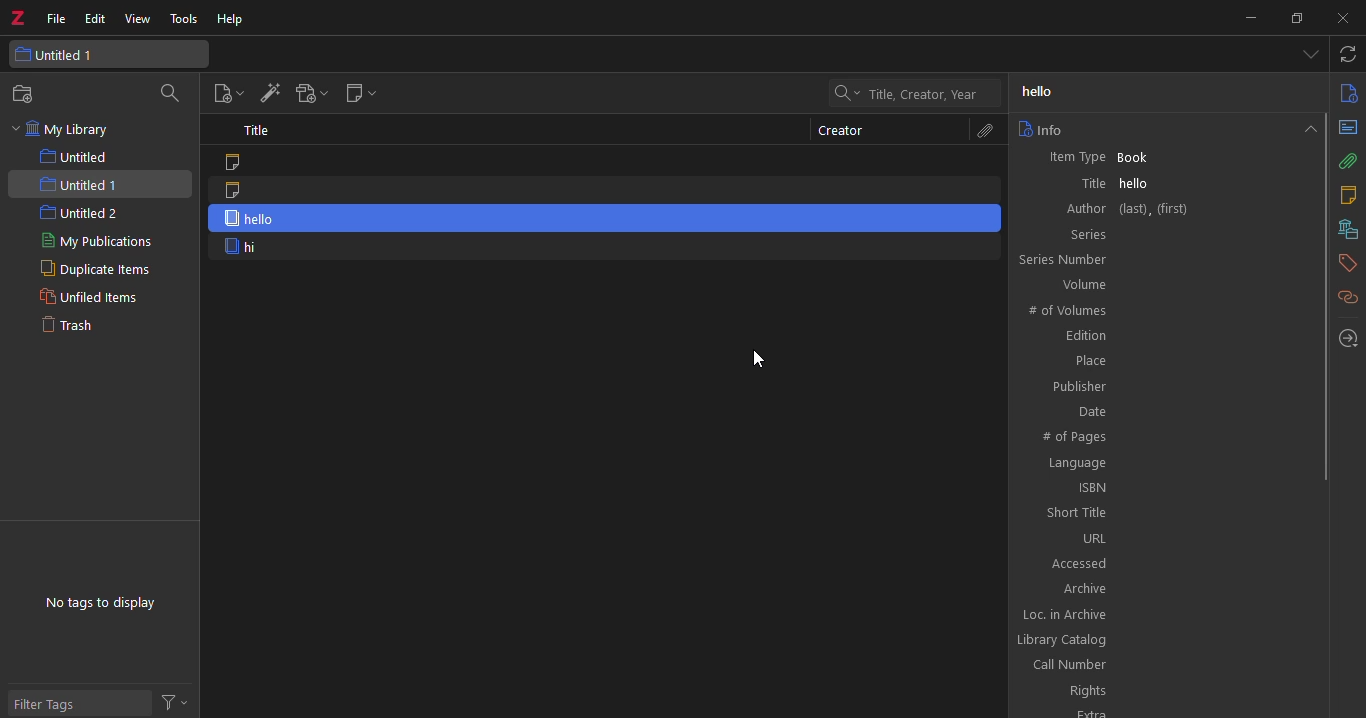  I want to click on untitled 2, so click(79, 214).